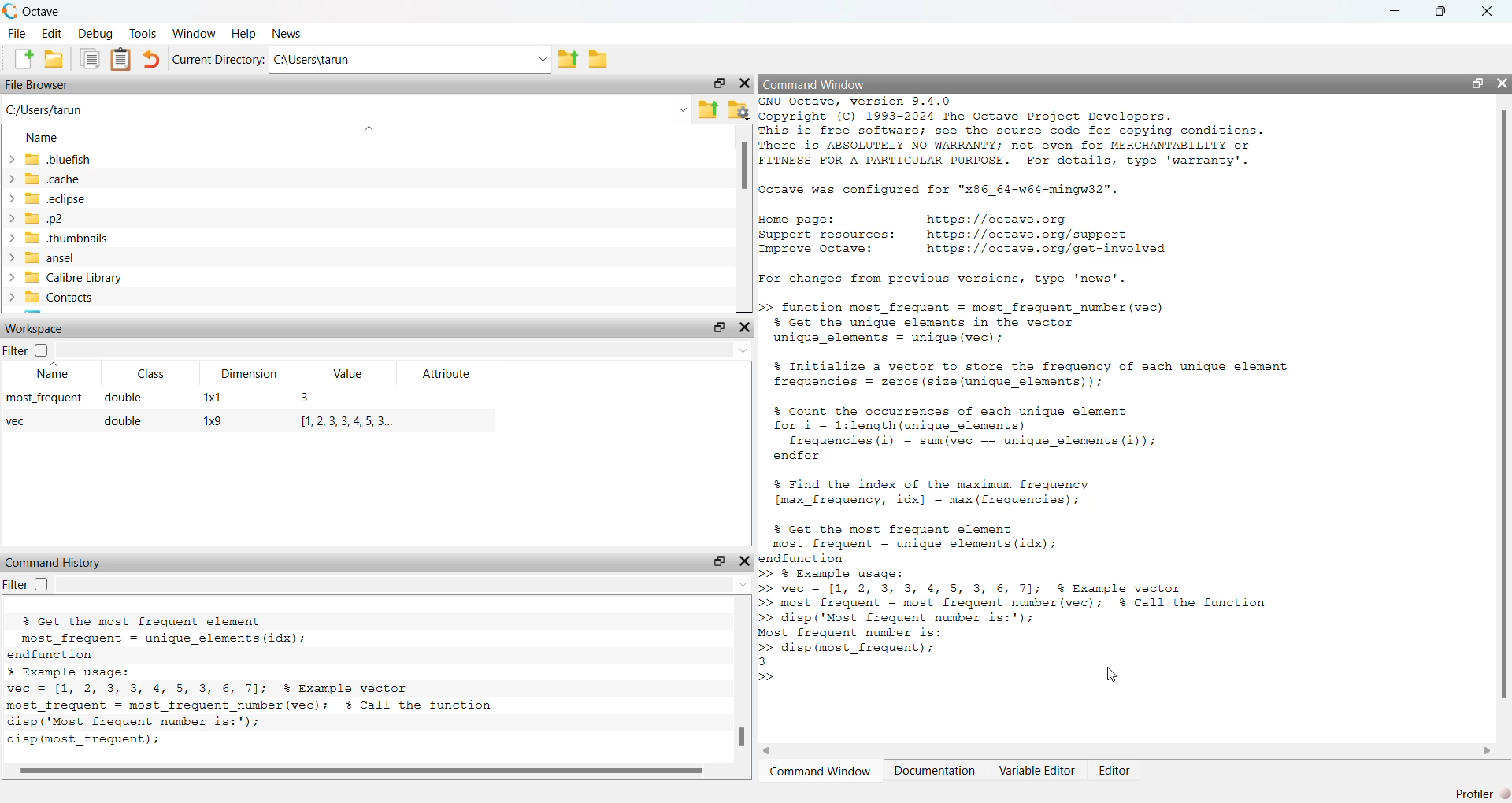 This screenshot has height=803, width=1512. I want to click on Filter, so click(27, 586).